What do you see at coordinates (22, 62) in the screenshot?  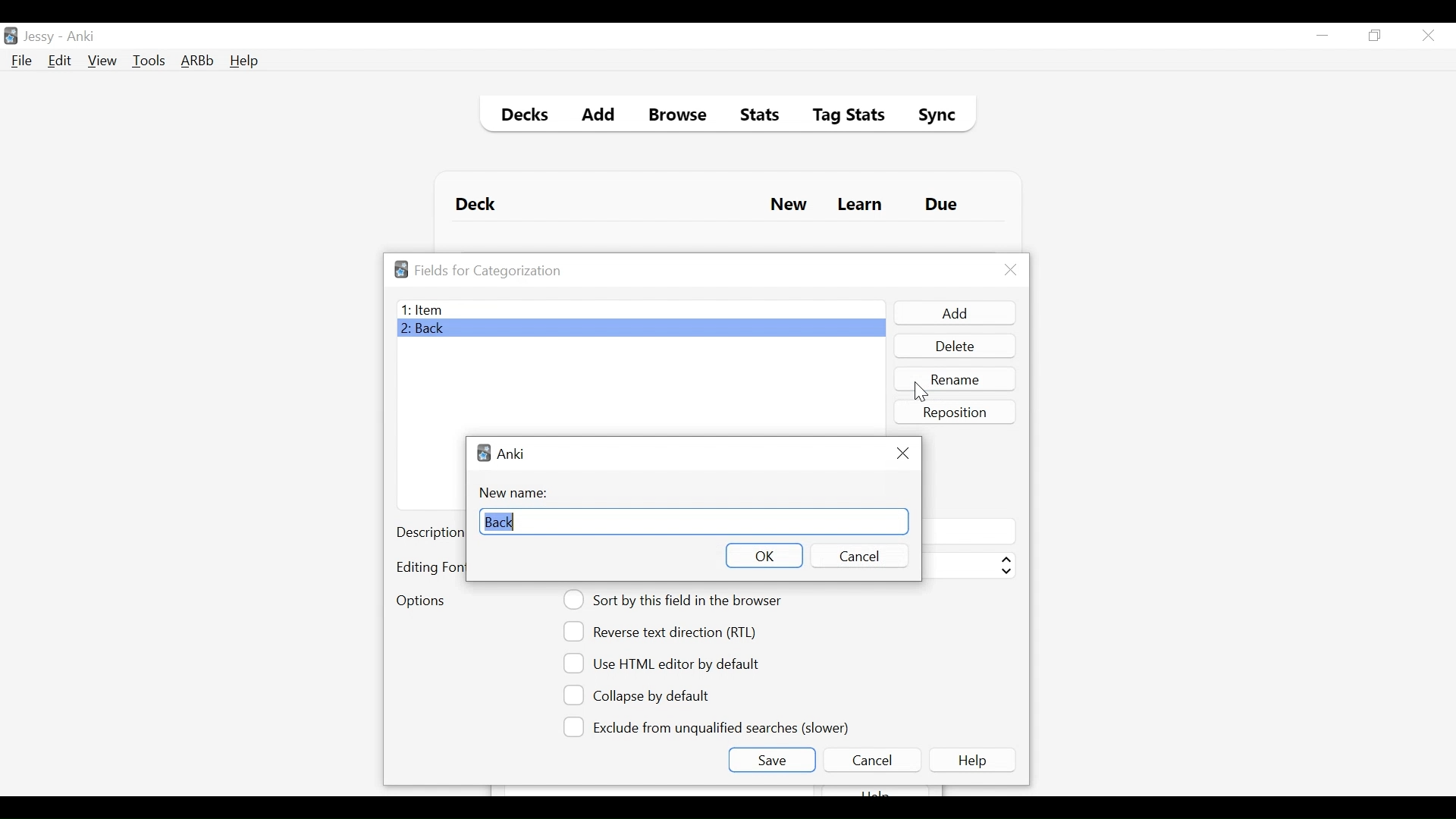 I see `File` at bounding box center [22, 62].